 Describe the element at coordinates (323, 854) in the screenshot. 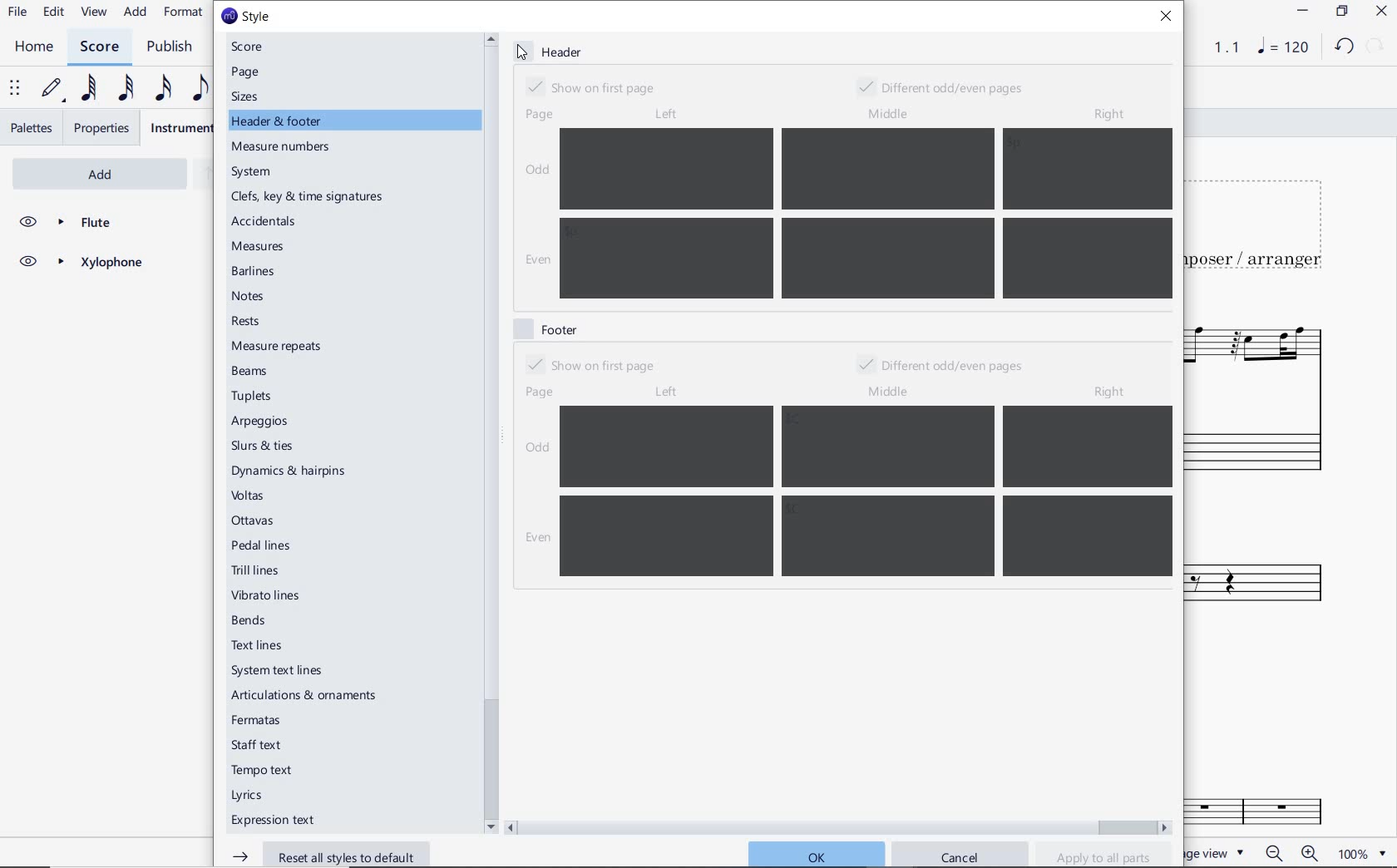

I see `reset all styles to default` at that location.